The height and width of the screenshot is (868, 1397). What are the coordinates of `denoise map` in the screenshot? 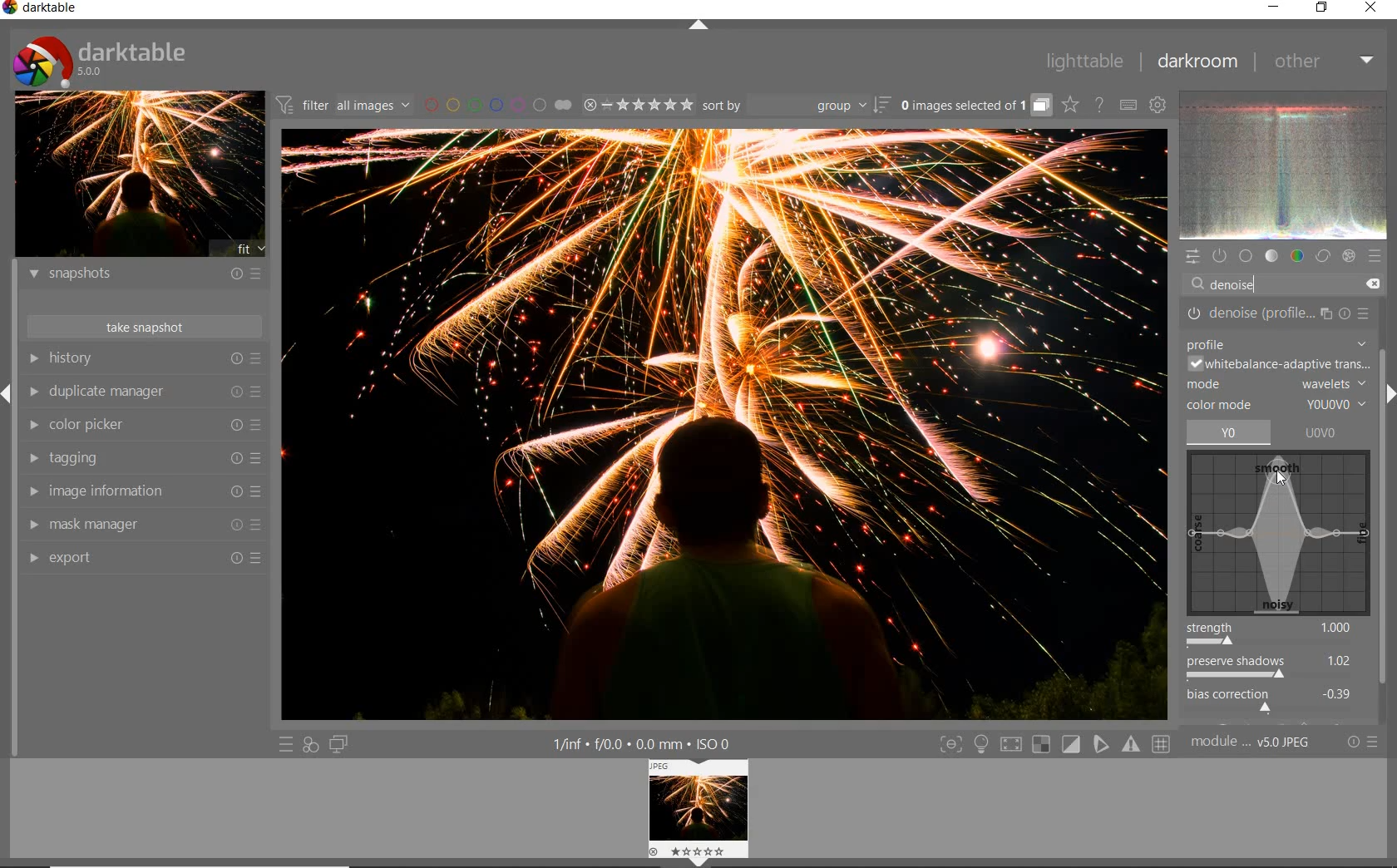 It's located at (1279, 534).